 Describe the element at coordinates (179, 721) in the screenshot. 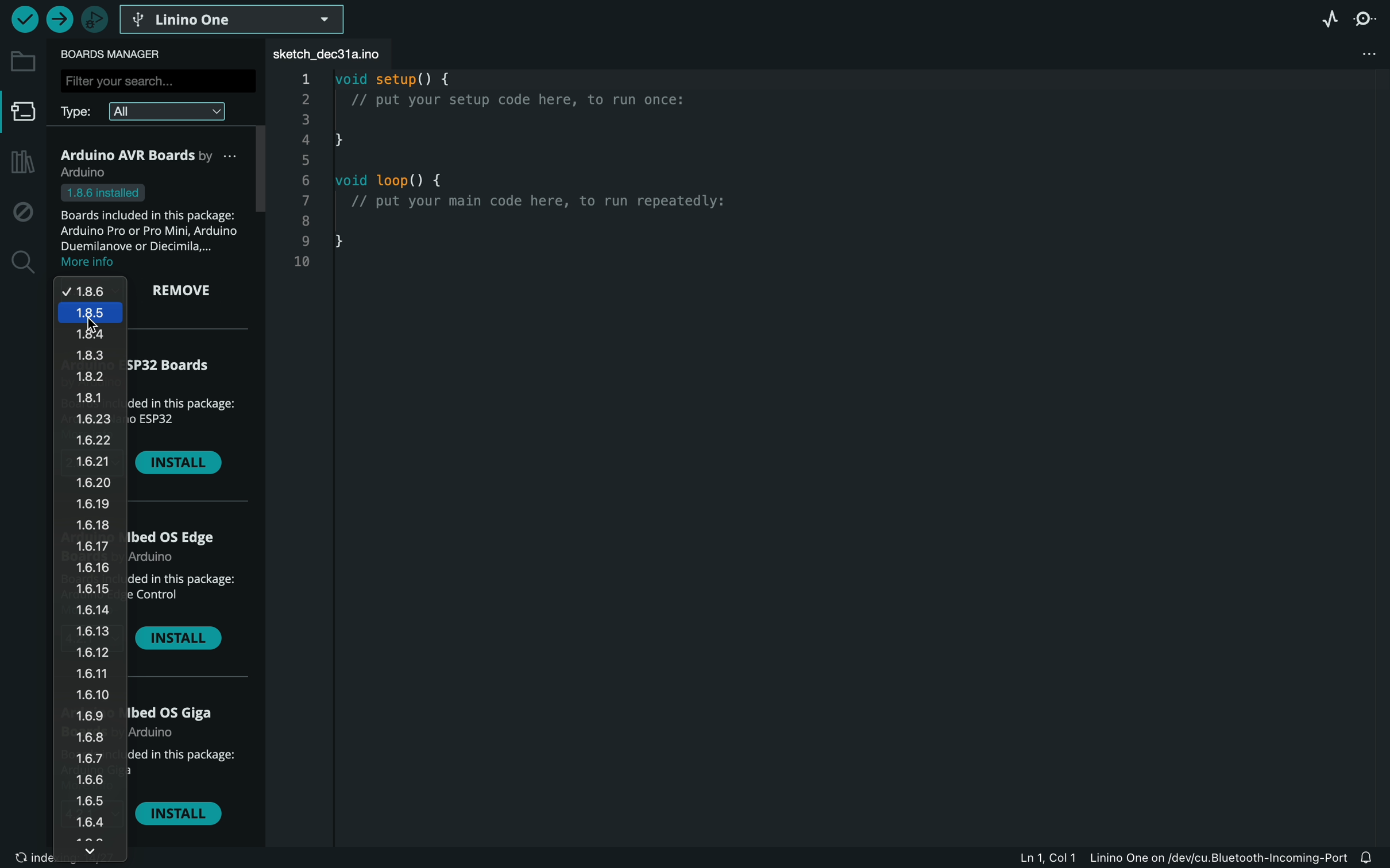

I see `OS gIGA` at that location.